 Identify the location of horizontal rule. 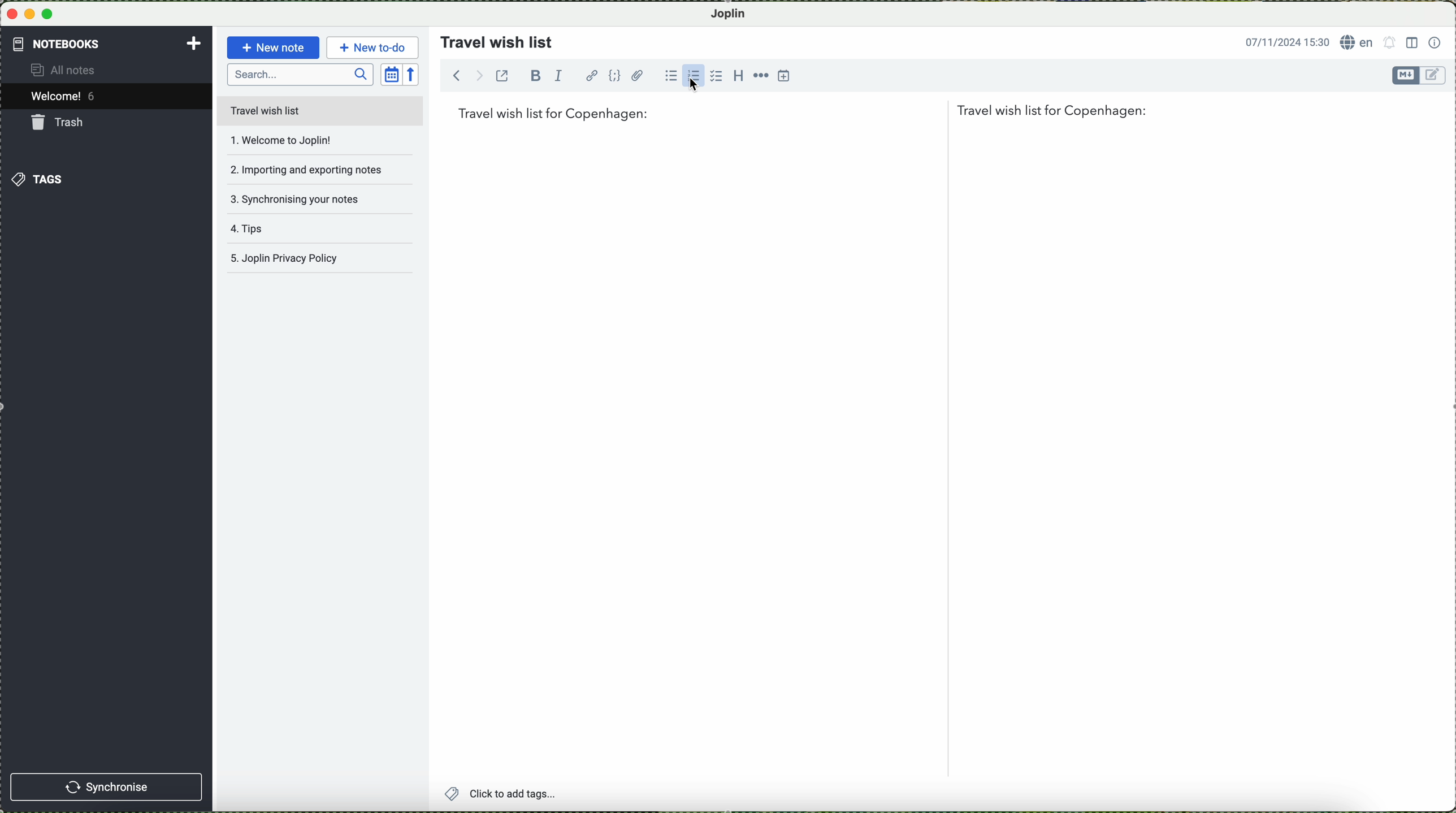
(760, 75).